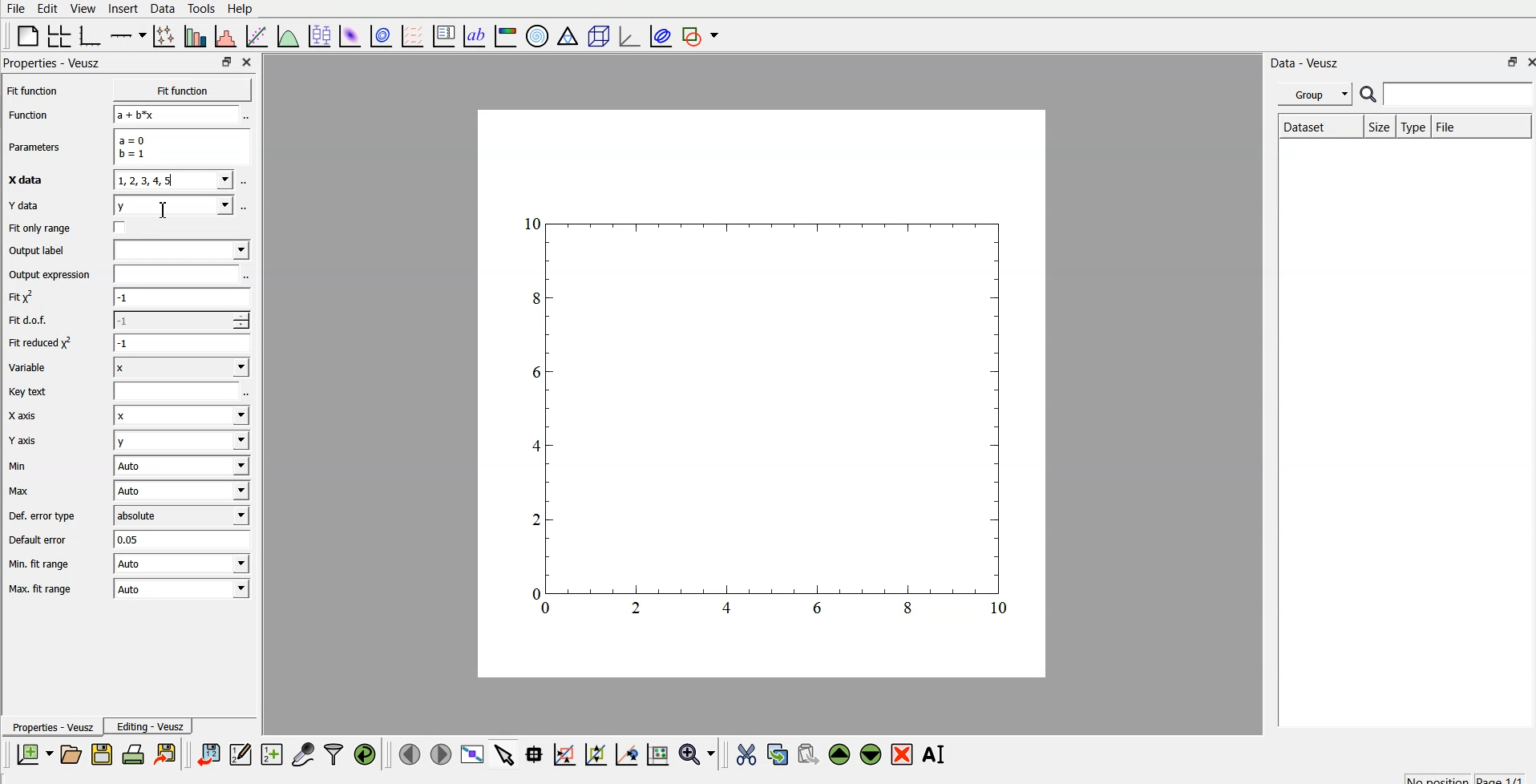 The height and width of the screenshot is (784, 1536). I want to click on Max, so click(39, 491).